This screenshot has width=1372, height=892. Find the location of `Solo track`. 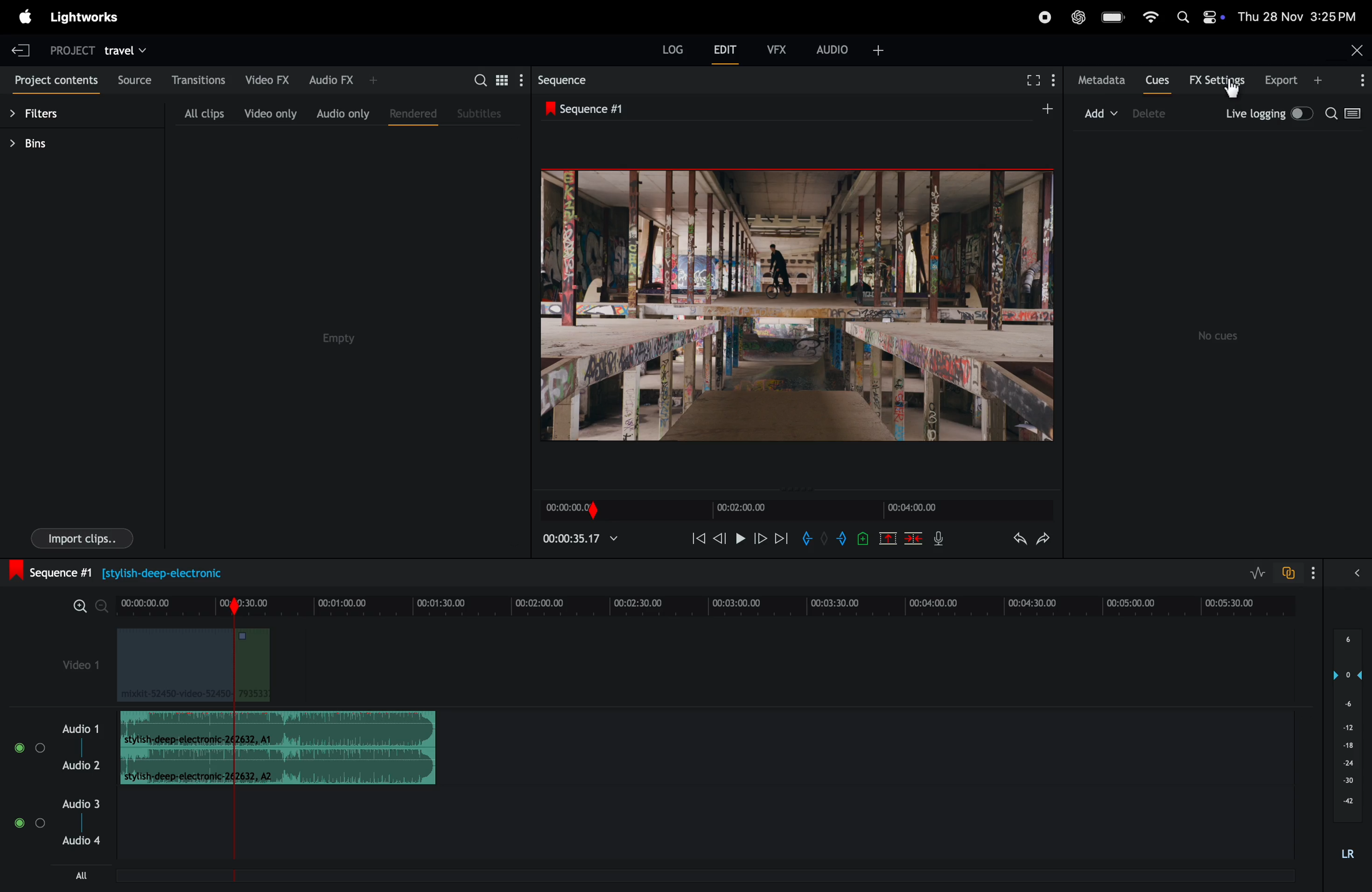

Solo track is located at coordinates (41, 827).